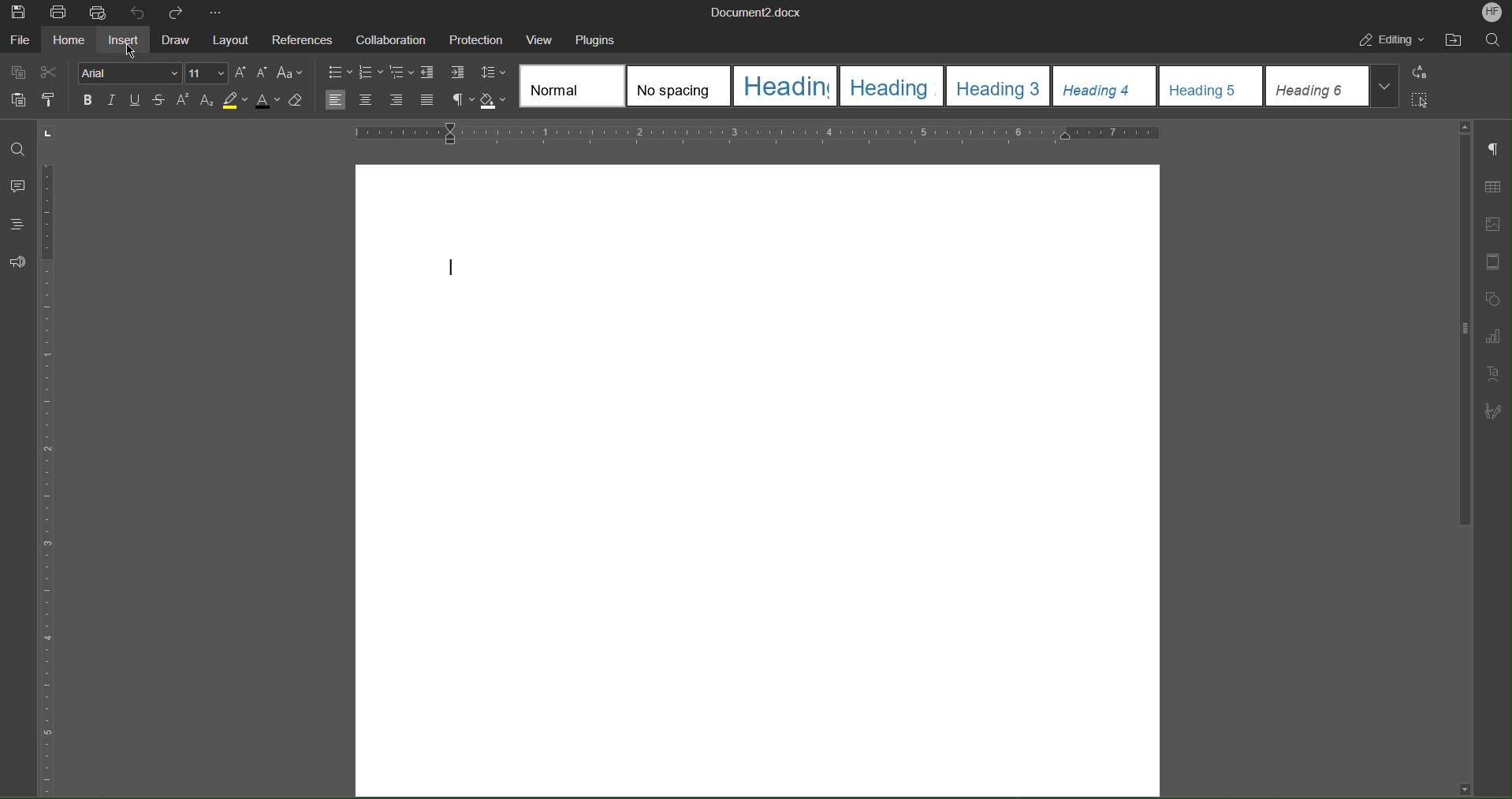  What do you see at coordinates (172, 12) in the screenshot?
I see `Redo` at bounding box center [172, 12].